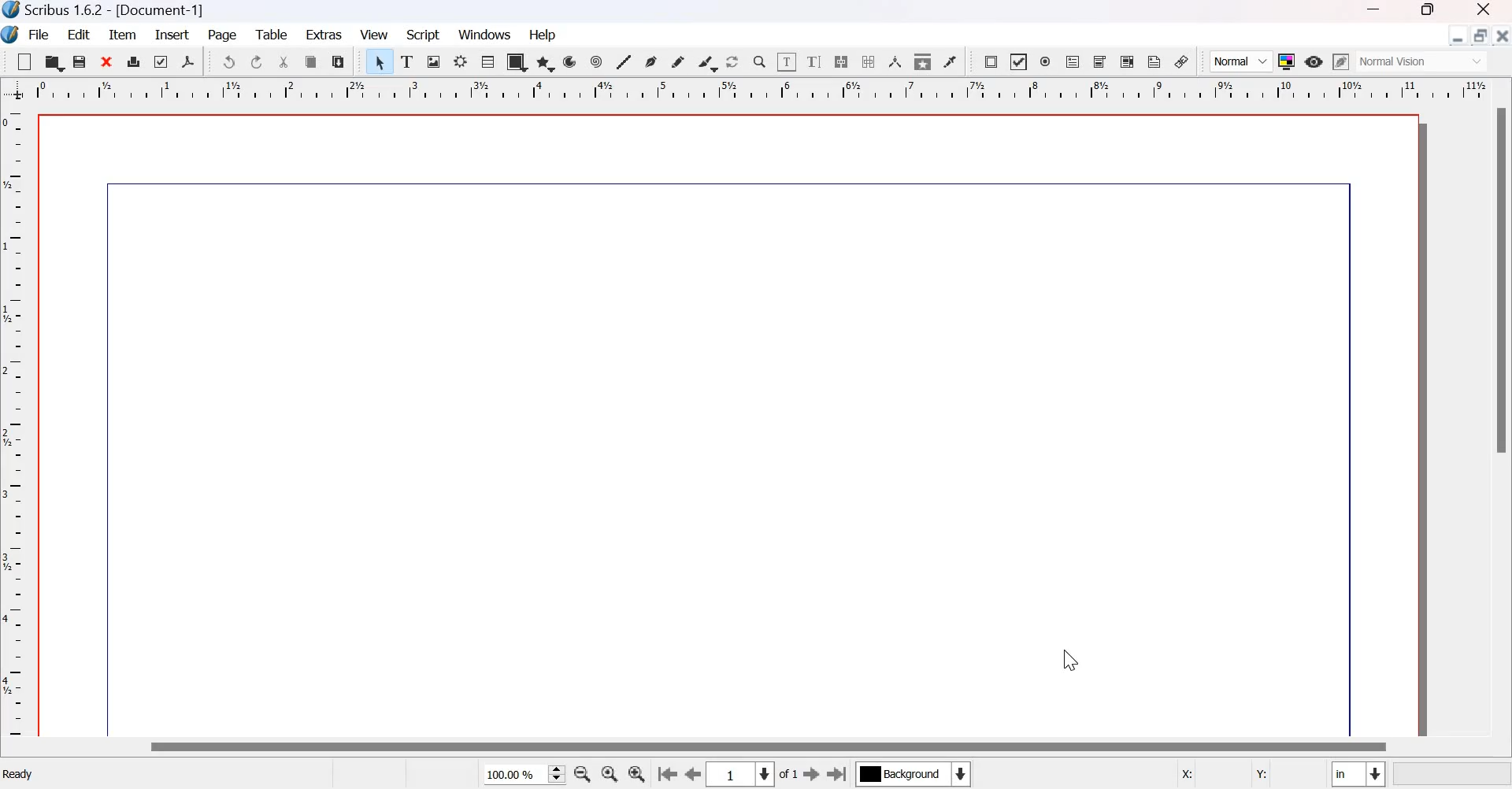 The image size is (1512, 789). Describe the element at coordinates (310, 62) in the screenshot. I see `copy` at that location.